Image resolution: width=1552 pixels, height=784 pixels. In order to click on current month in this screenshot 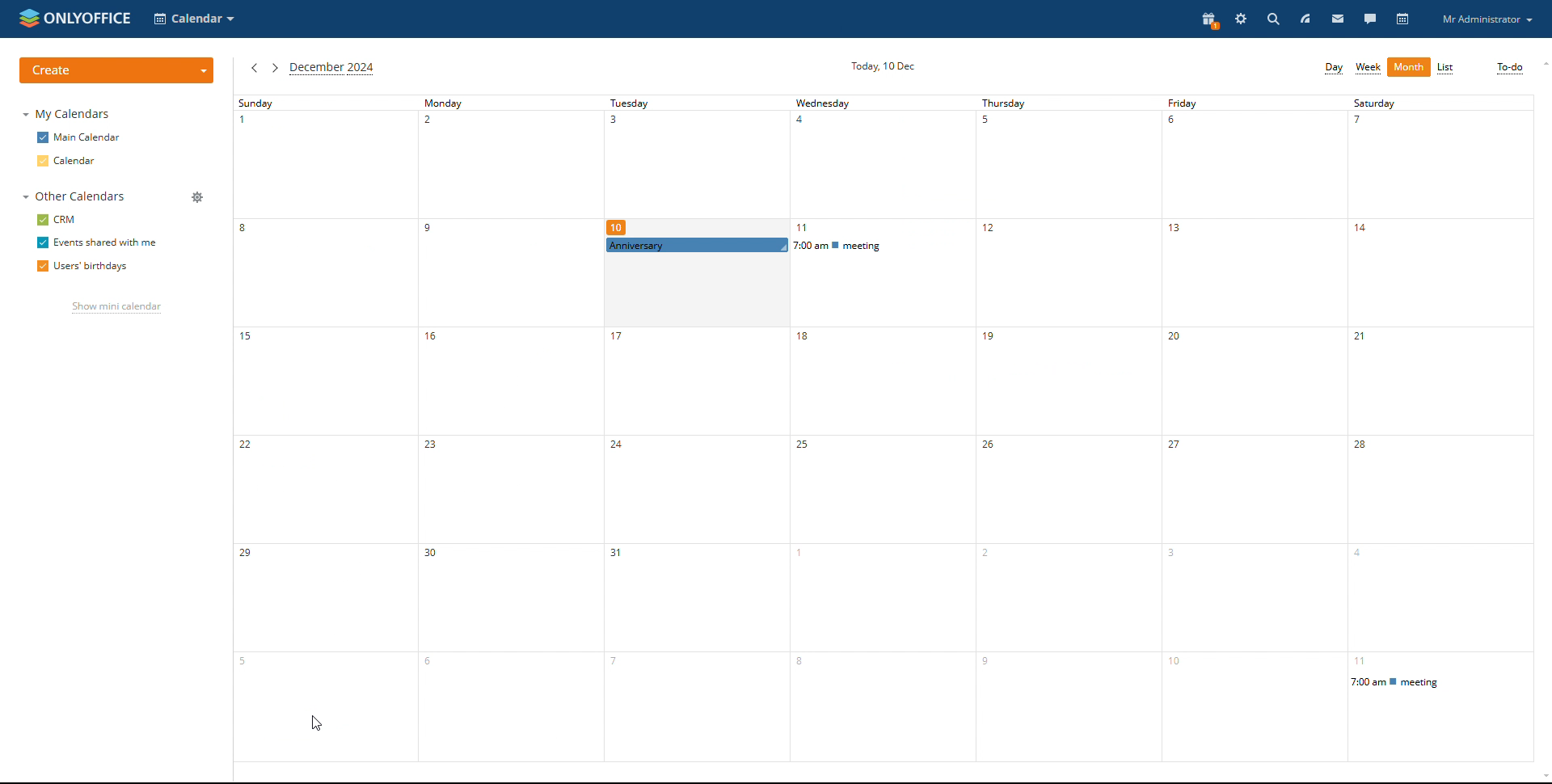, I will do `click(334, 70)`.